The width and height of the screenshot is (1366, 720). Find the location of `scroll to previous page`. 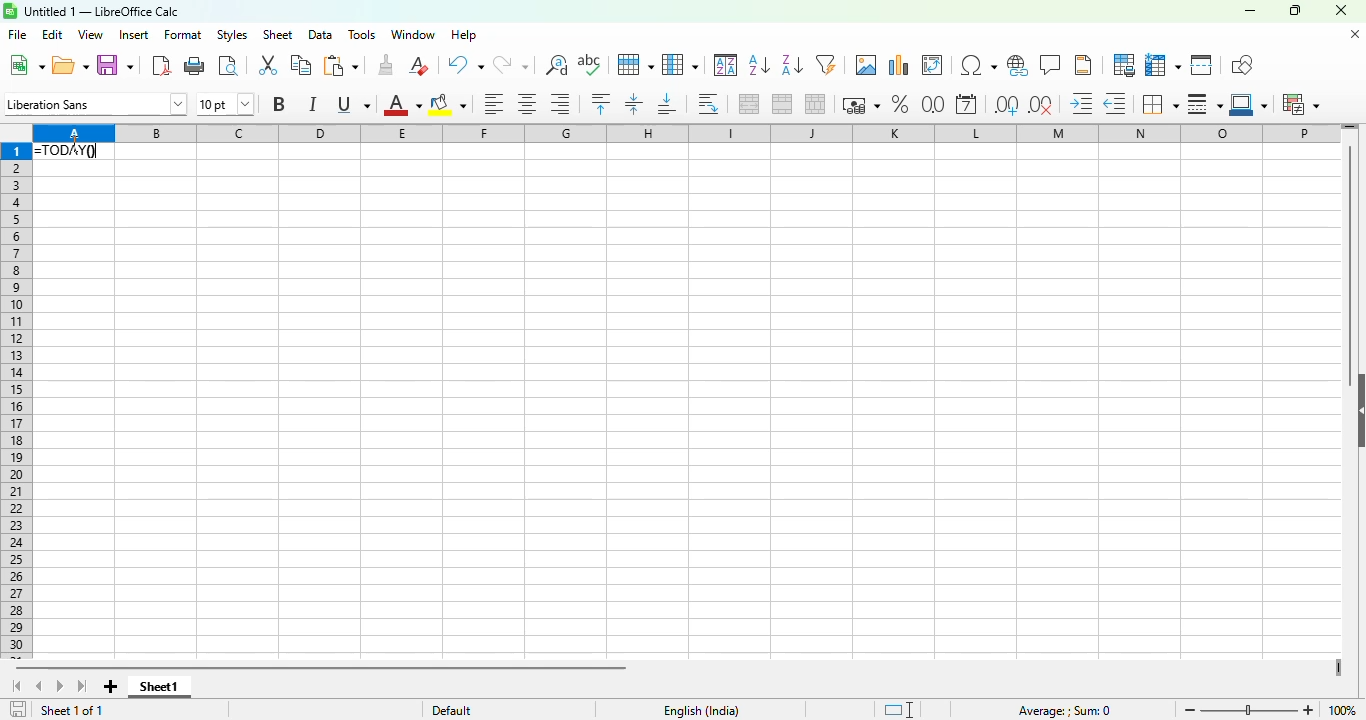

scroll to previous page is located at coordinates (38, 686).